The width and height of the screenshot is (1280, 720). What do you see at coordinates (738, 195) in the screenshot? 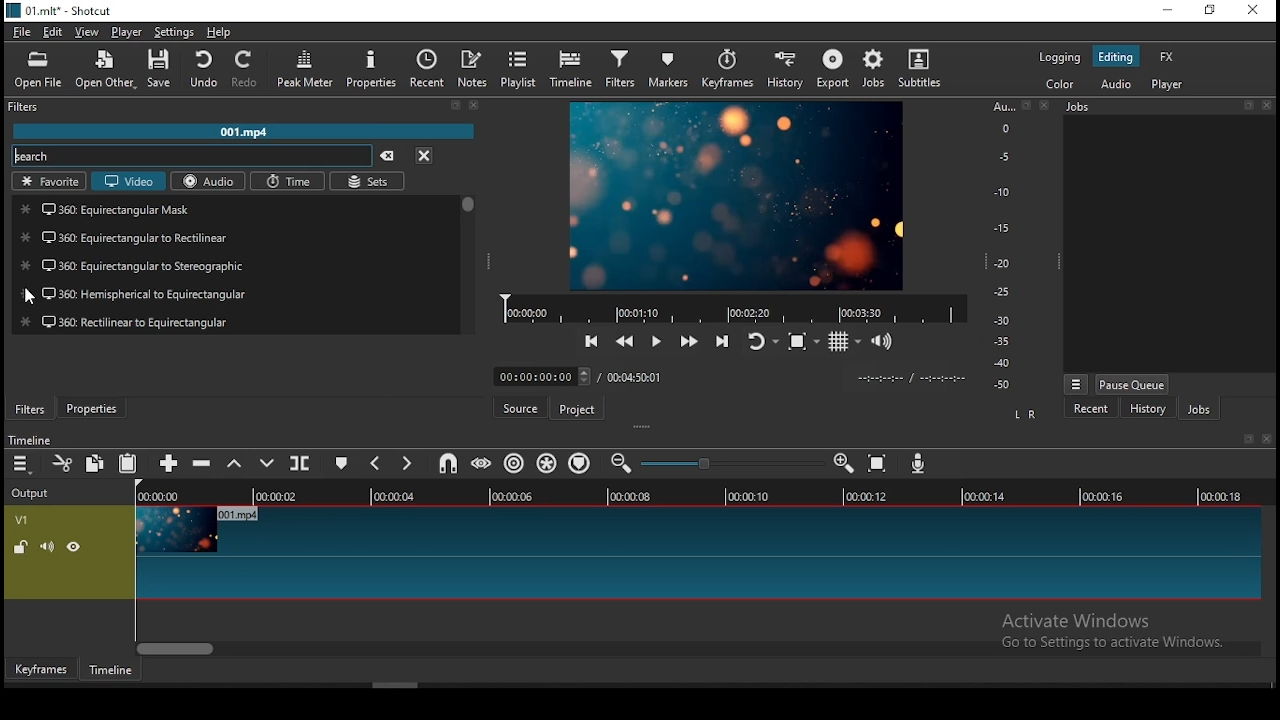
I see `image` at bounding box center [738, 195].